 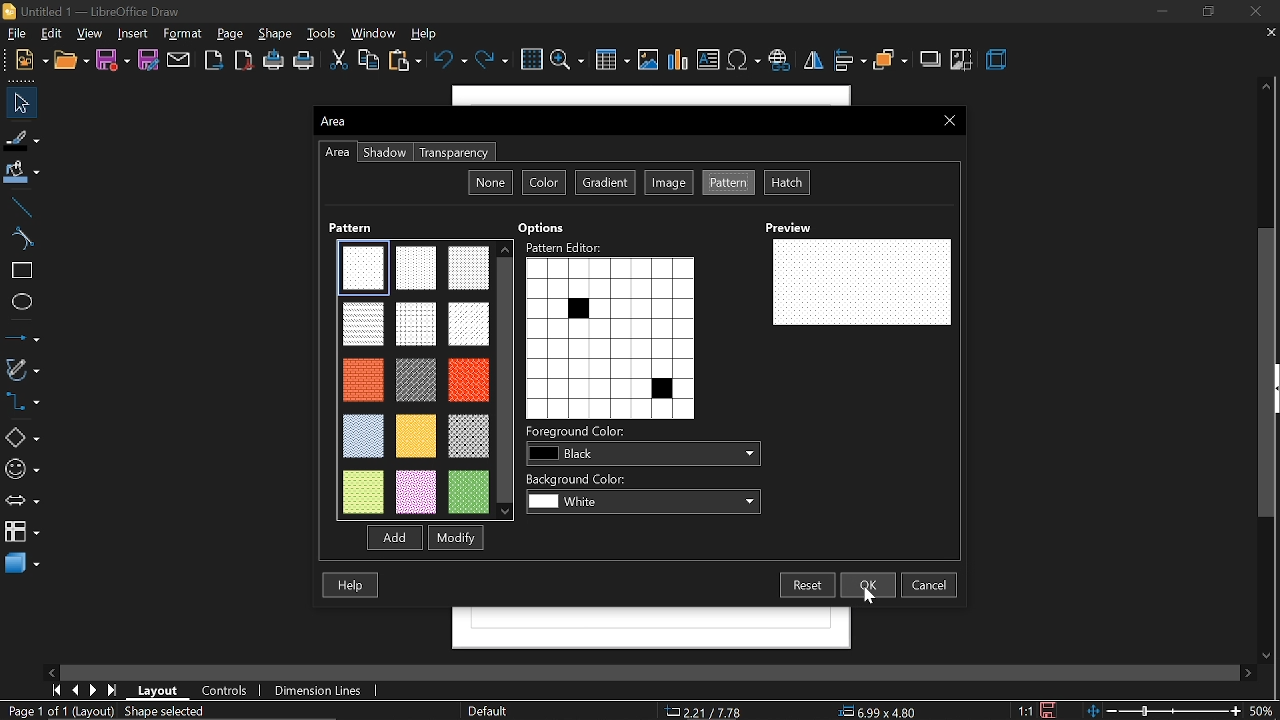 What do you see at coordinates (412, 379) in the screenshot?
I see `Patterns` at bounding box center [412, 379].